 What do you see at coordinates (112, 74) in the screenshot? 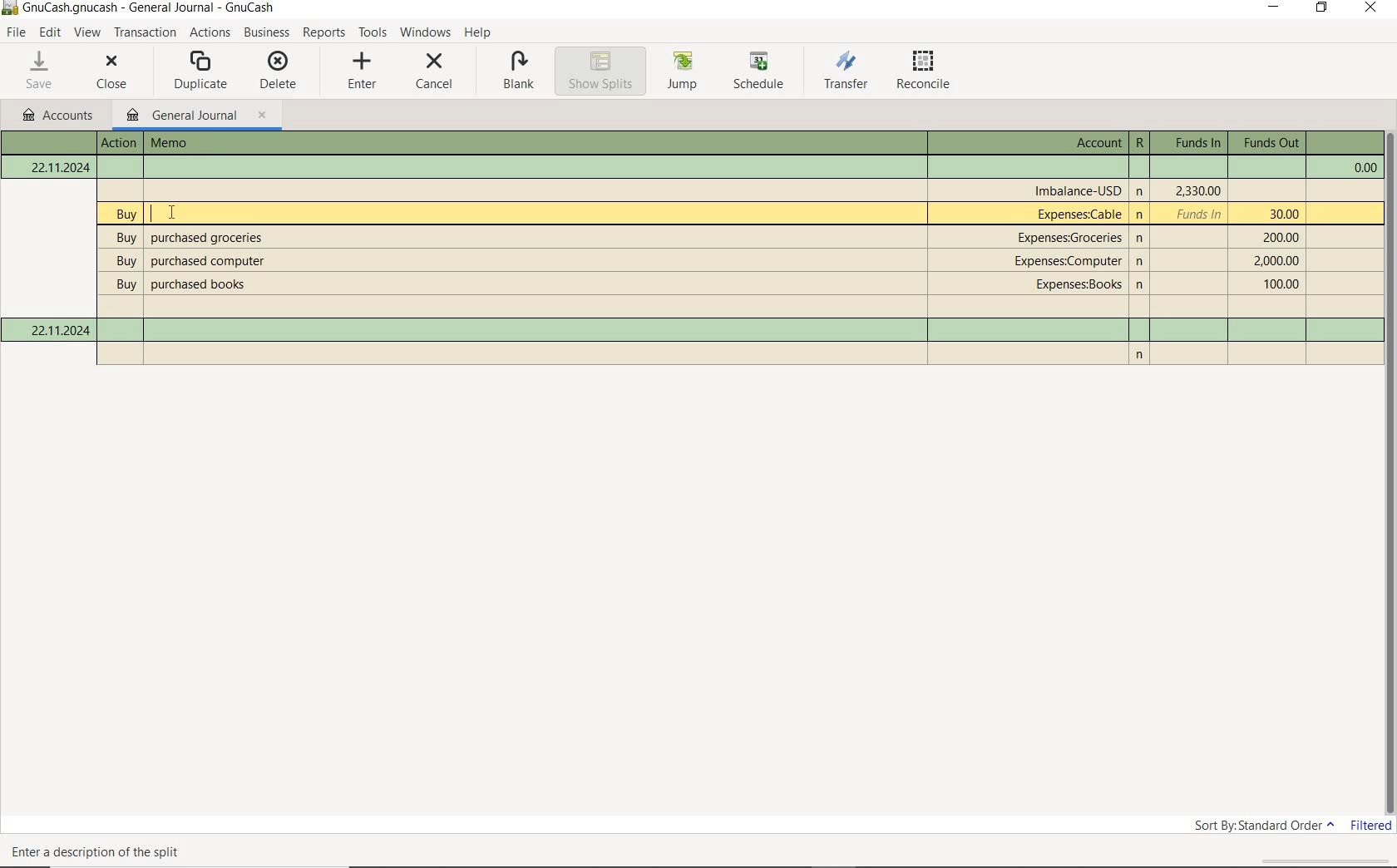
I see `close` at bounding box center [112, 74].